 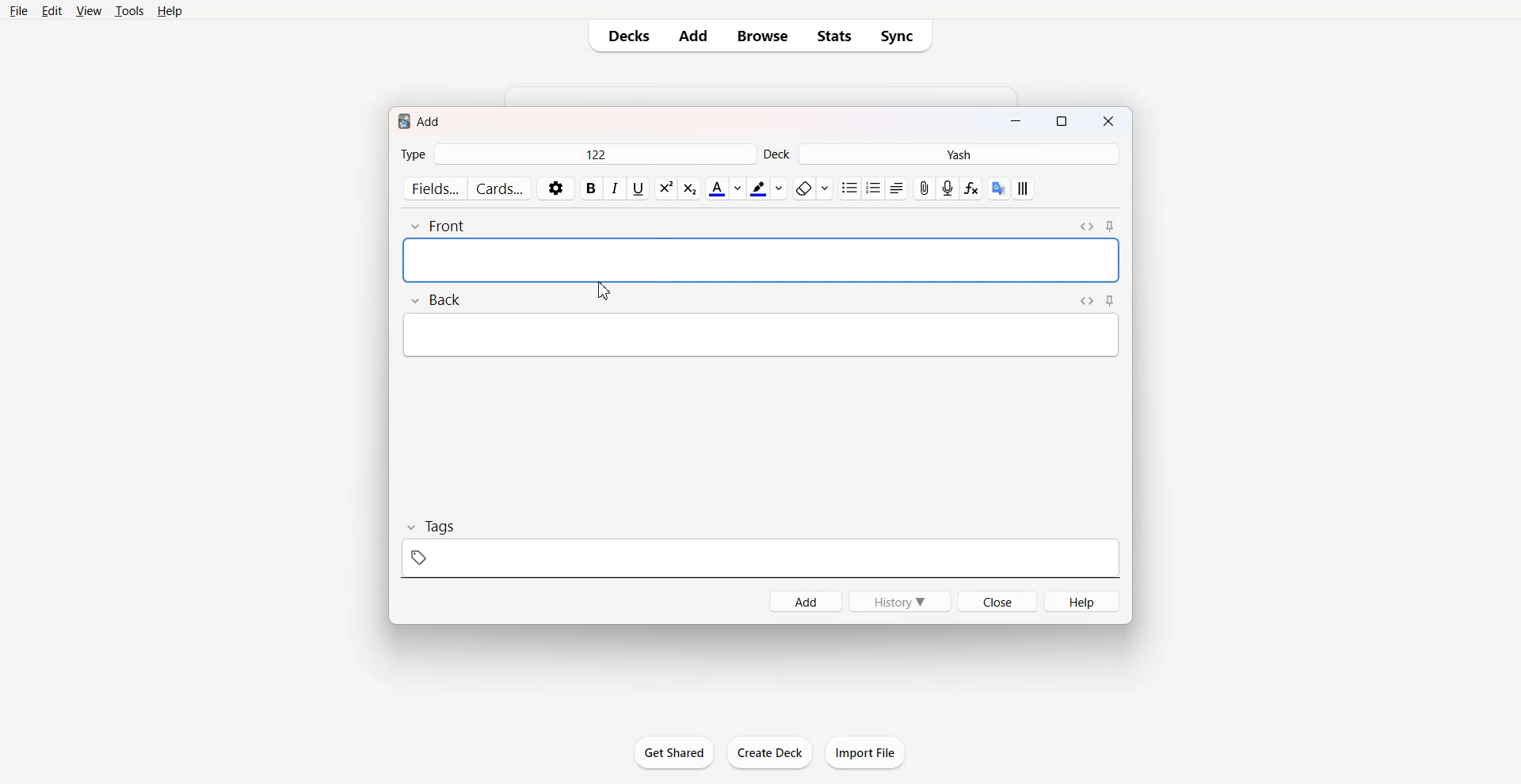 What do you see at coordinates (1111, 226) in the screenshot?
I see `Toggle Sticky` at bounding box center [1111, 226].